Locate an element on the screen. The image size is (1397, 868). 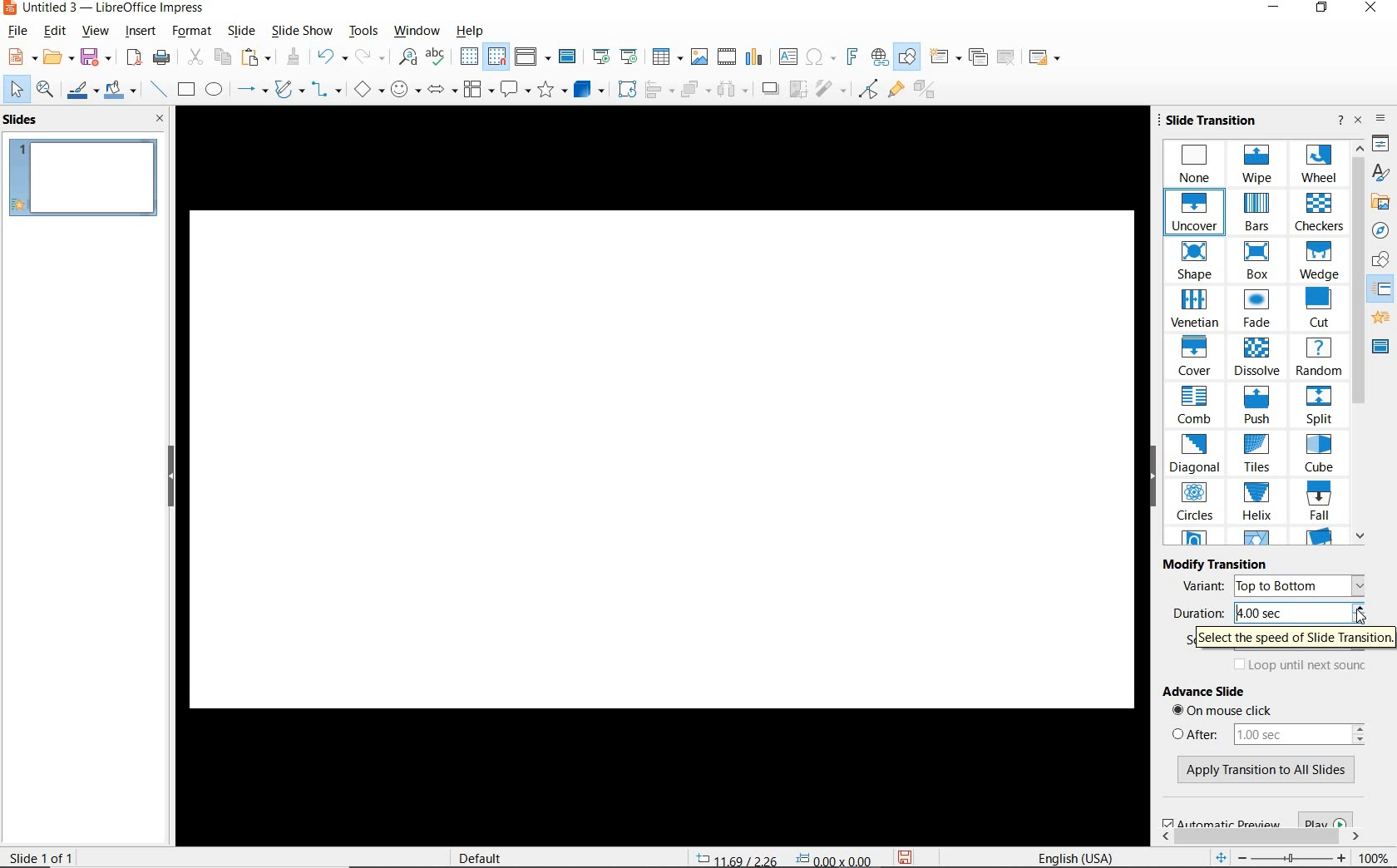
SHOW GLUE POINT FUNCTIONS is located at coordinates (898, 91).